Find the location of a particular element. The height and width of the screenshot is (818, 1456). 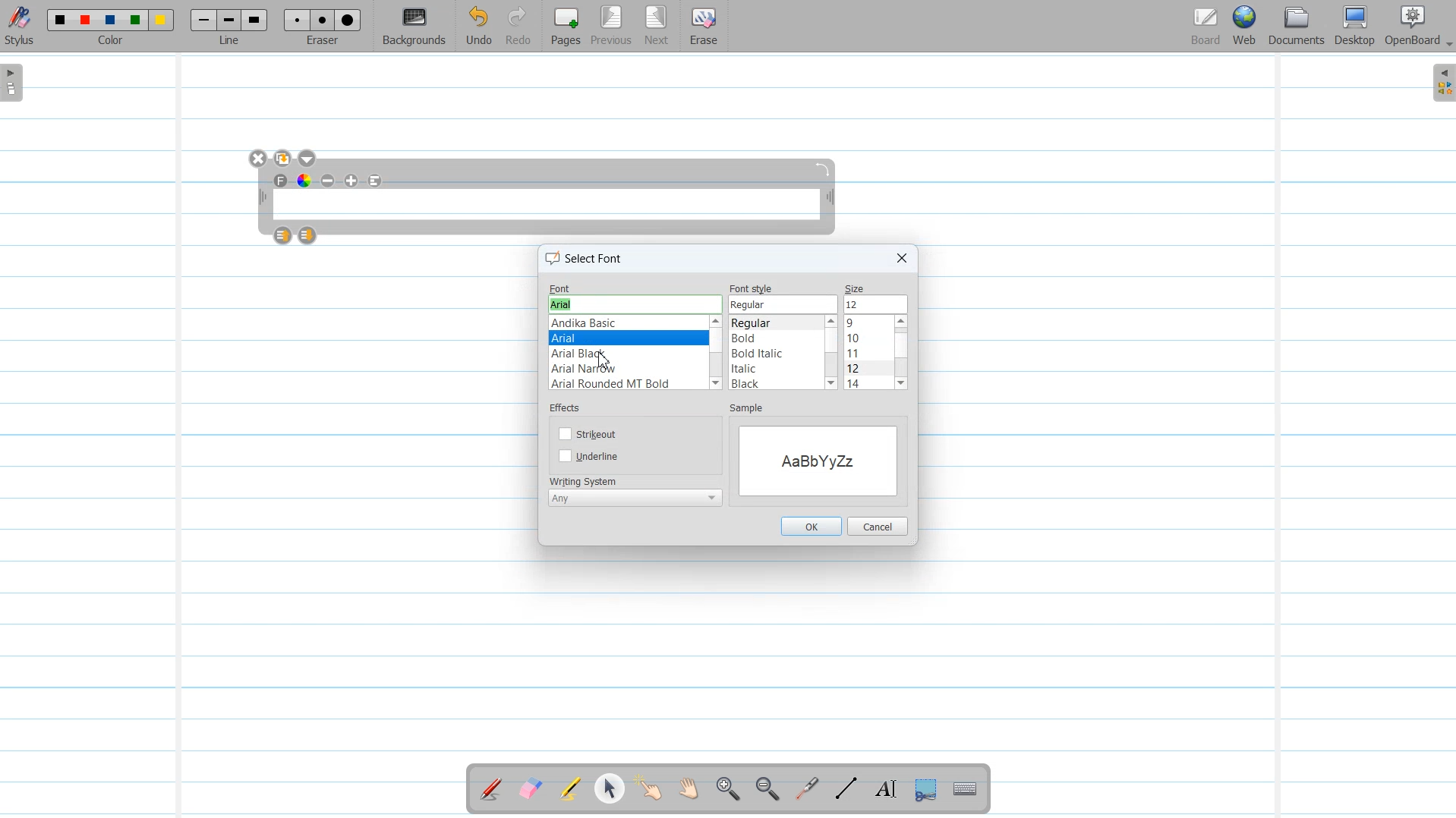

Text Tool is located at coordinates (883, 789).